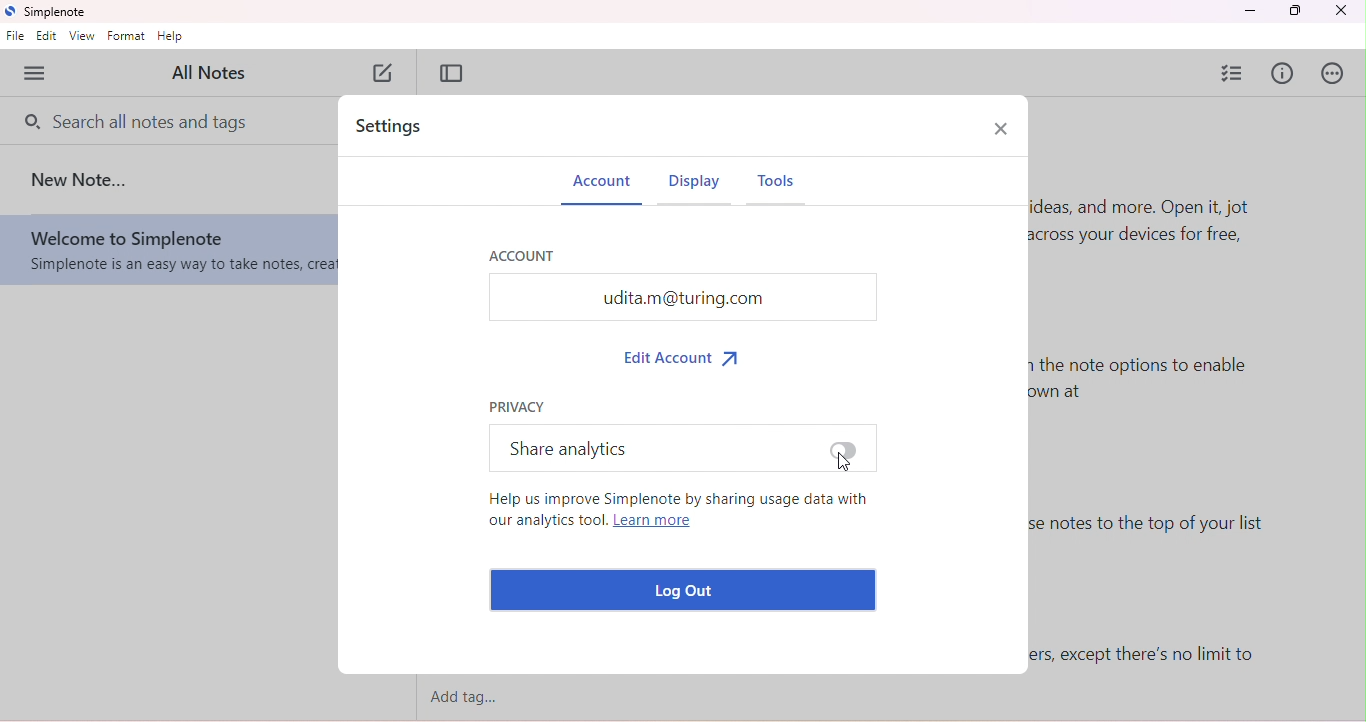 The image size is (1366, 722). What do you see at coordinates (48, 37) in the screenshot?
I see `edit` at bounding box center [48, 37].